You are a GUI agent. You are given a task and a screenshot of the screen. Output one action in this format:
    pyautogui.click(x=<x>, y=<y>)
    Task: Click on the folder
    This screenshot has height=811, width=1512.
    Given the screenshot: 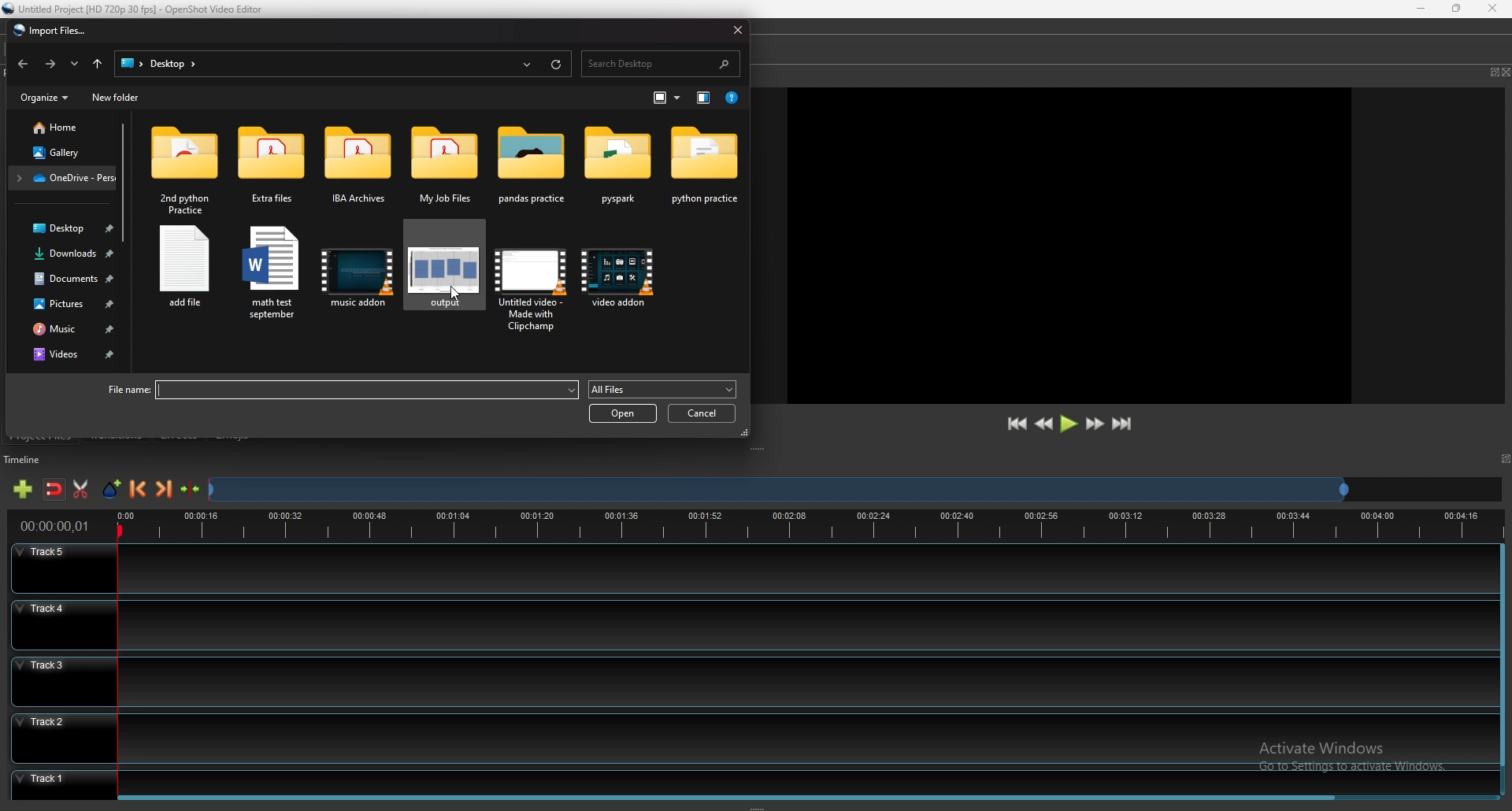 What is the action you would take?
    pyautogui.click(x=185, y=168)
    